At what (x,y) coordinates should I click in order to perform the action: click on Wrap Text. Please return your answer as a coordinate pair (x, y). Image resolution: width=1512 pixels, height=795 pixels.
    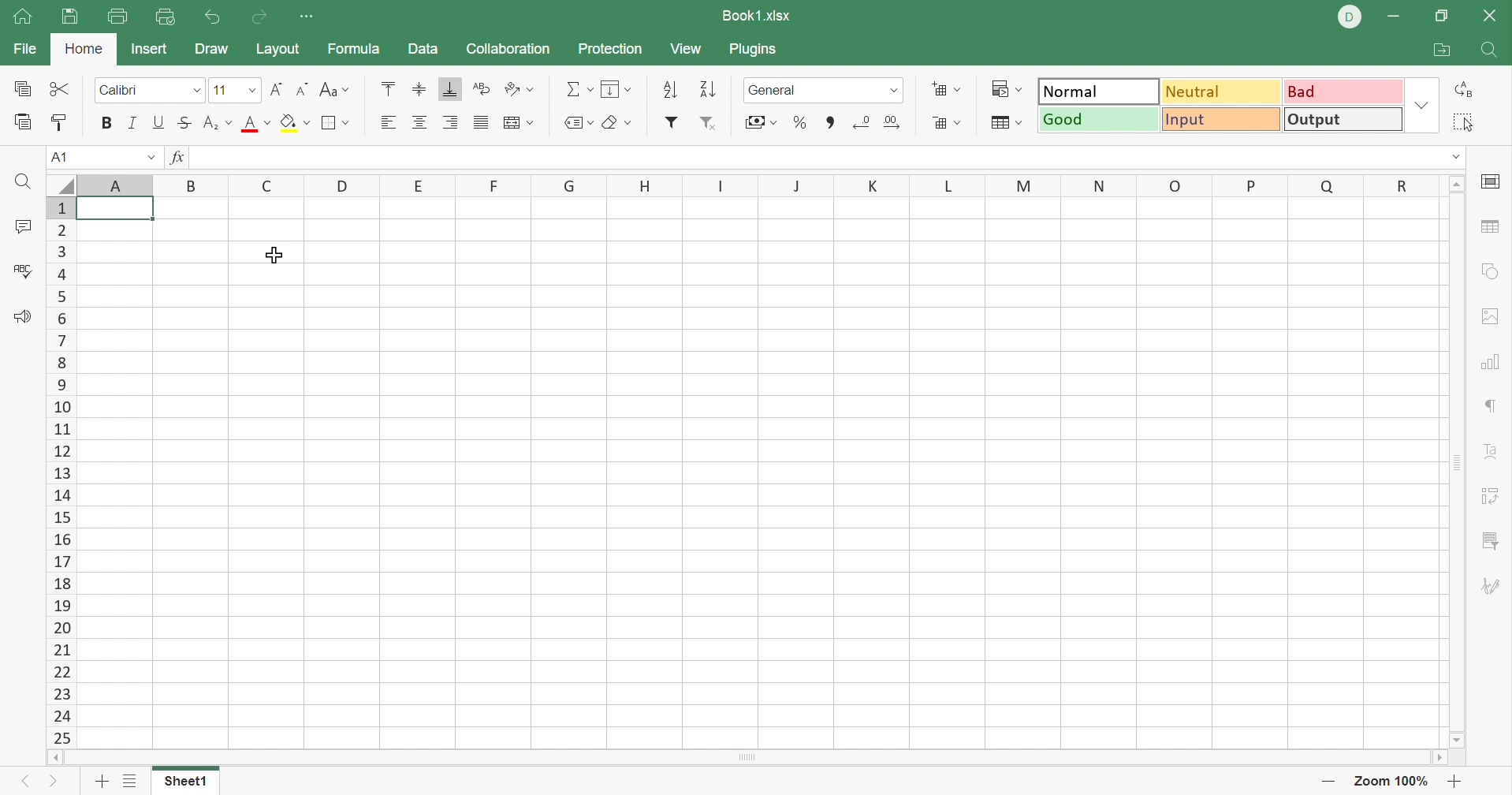
    Looking at the image, I should click on (479, 89).